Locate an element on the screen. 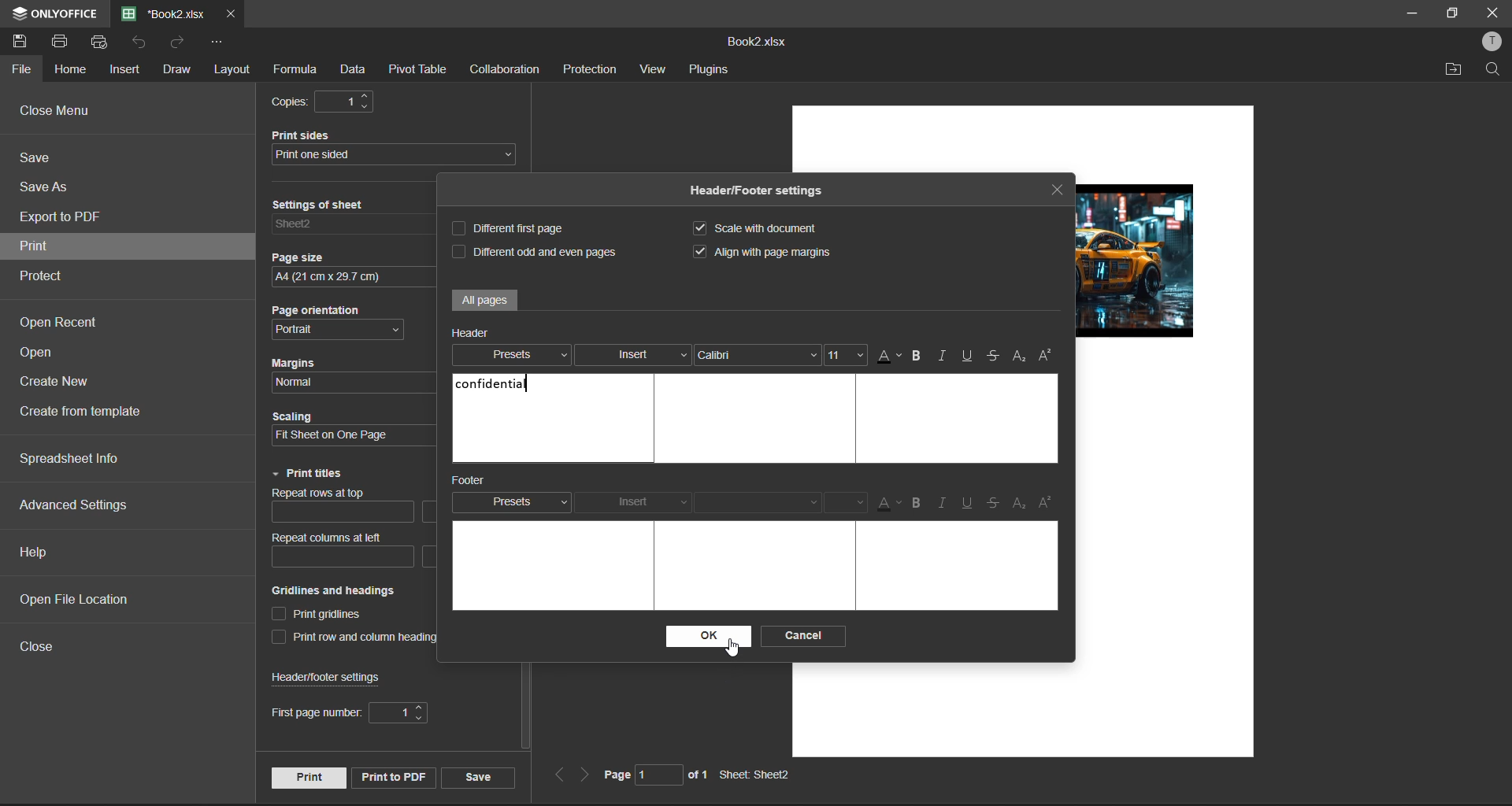 The width and height of the screenshot is (1512, 806). font style is located at coordinates (765, 505).